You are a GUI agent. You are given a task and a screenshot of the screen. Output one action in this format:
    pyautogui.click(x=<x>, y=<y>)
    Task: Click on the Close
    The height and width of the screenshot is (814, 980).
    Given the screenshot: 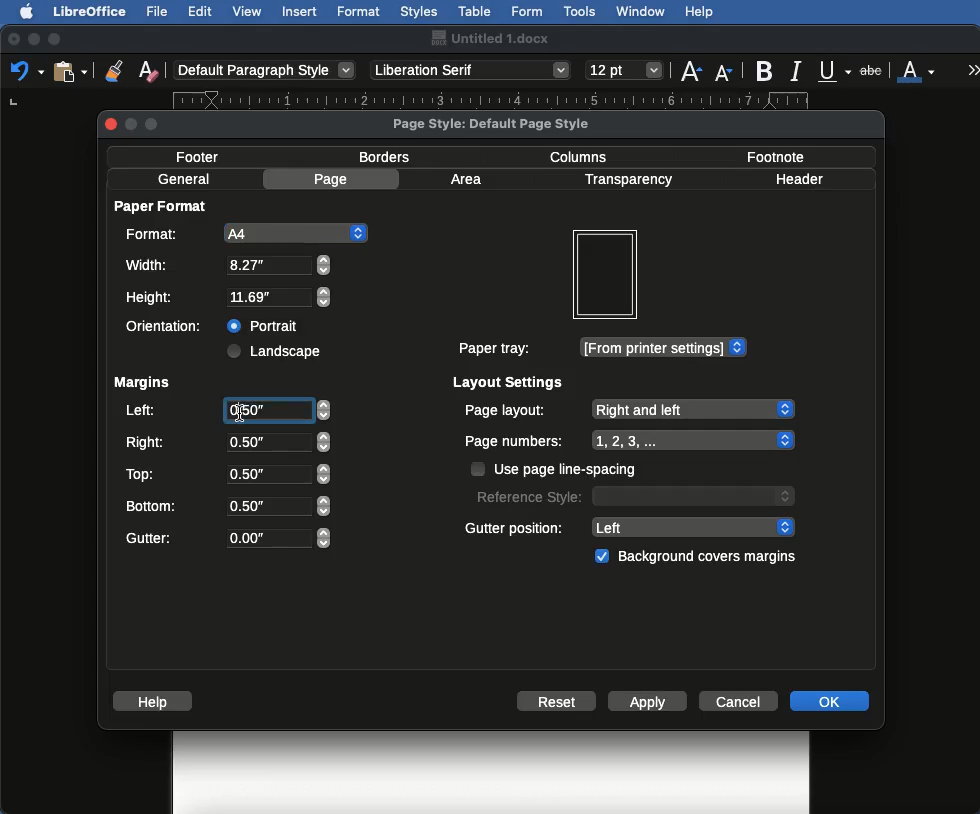 What is the action you would take?
    pyautogui.click(x=14, y=40)
    